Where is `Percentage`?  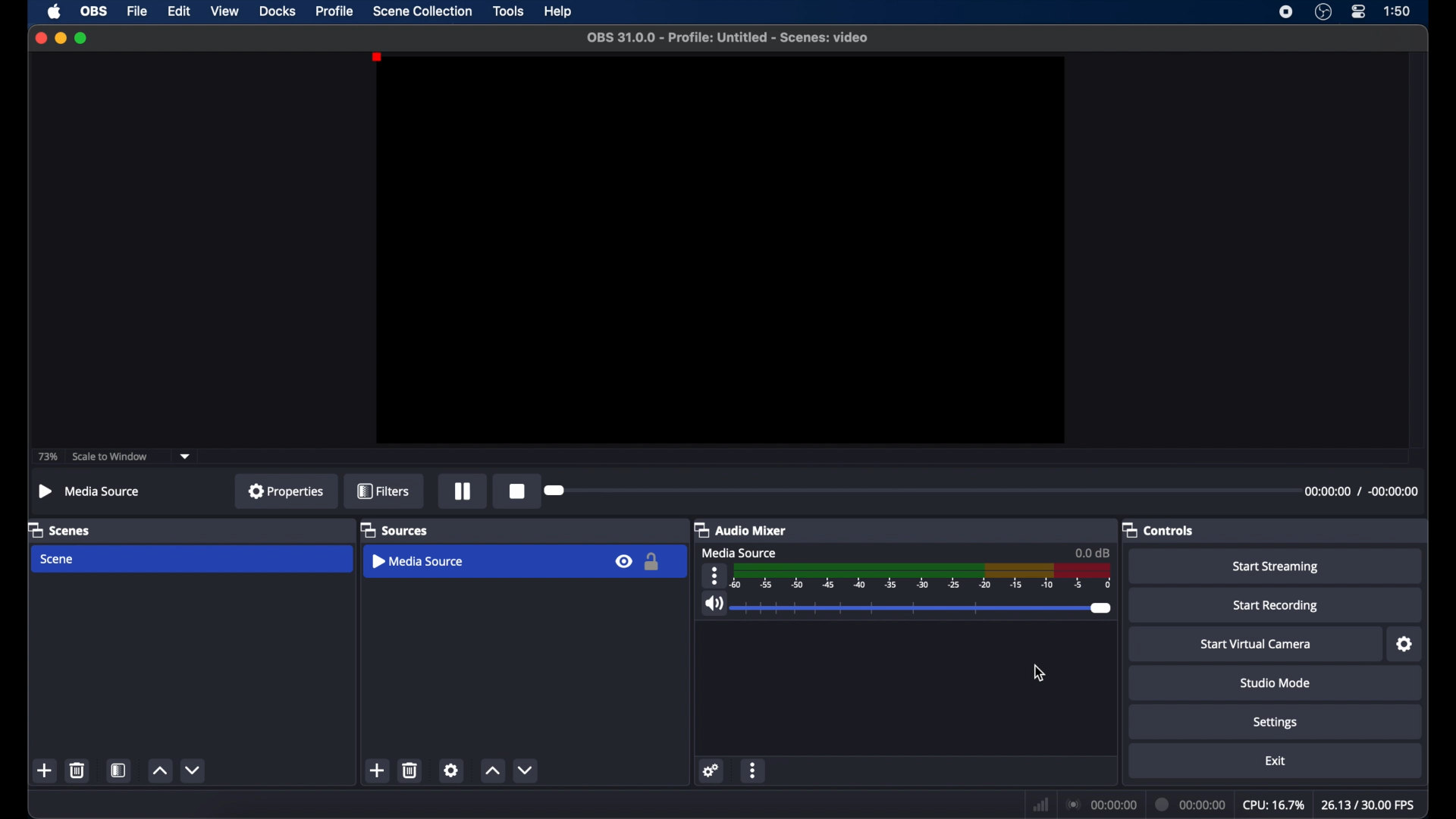 Percentage is located at coordinates (49, 457).